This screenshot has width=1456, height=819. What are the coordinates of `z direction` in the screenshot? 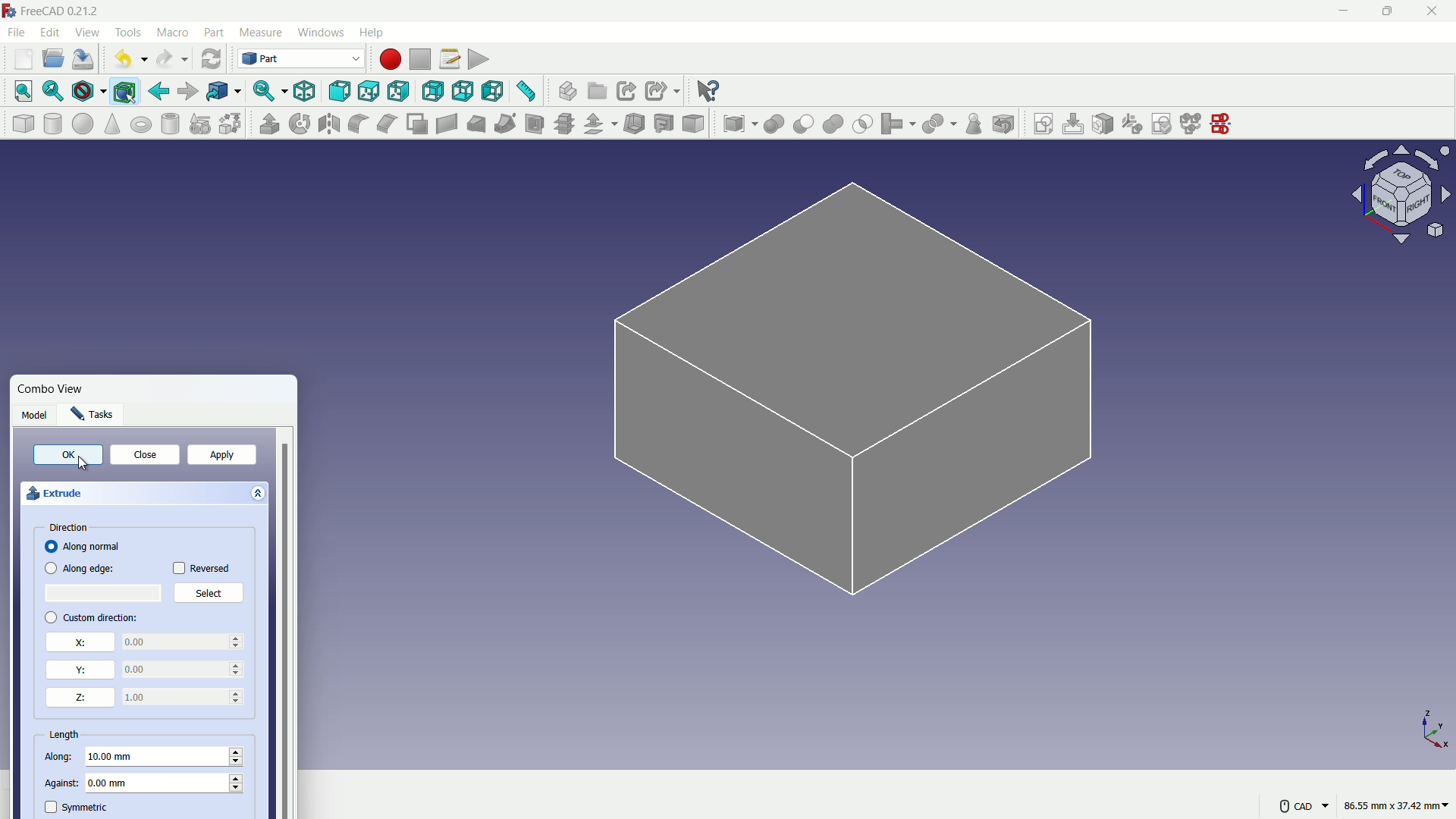 It's located at (78, 699).